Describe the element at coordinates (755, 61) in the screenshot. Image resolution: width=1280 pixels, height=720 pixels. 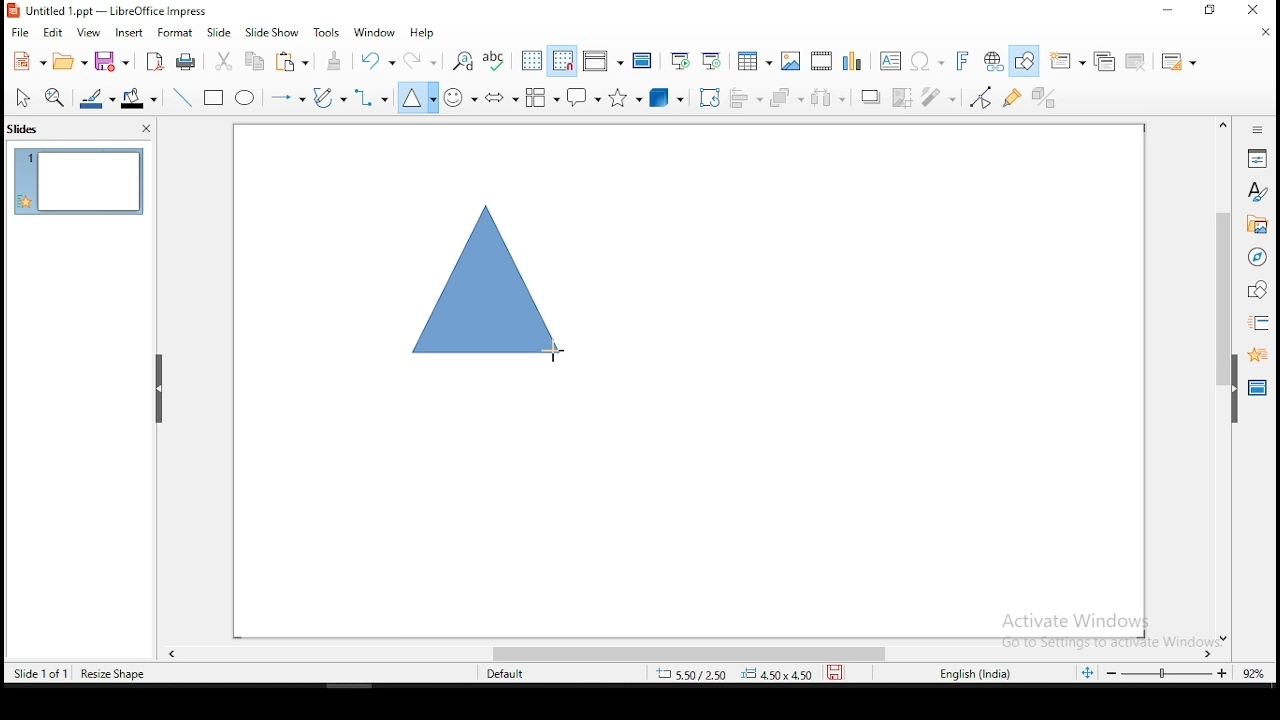
I see `tables` at that location.